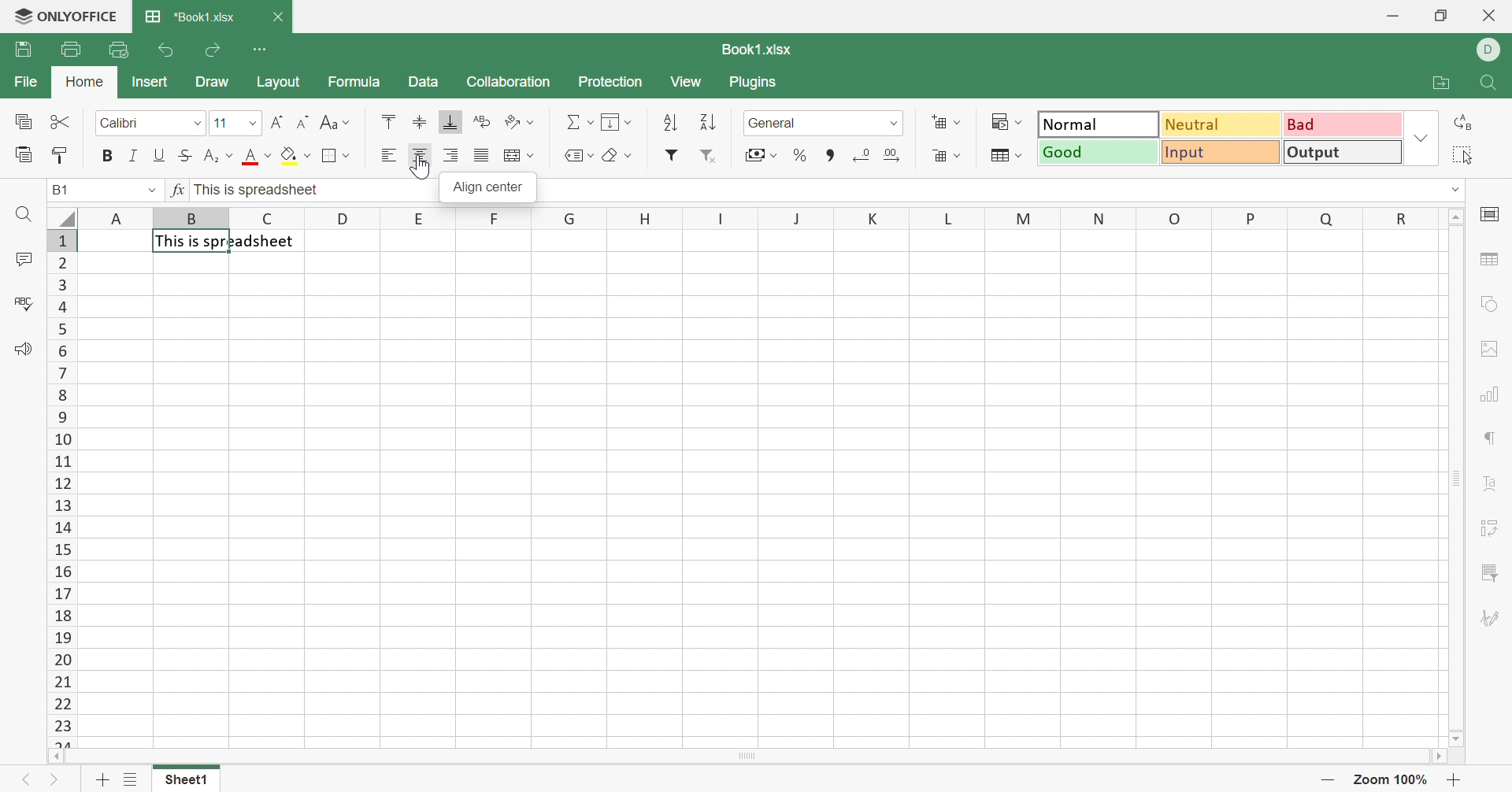  I want to click on Slicer settings, so click(1491, 572).